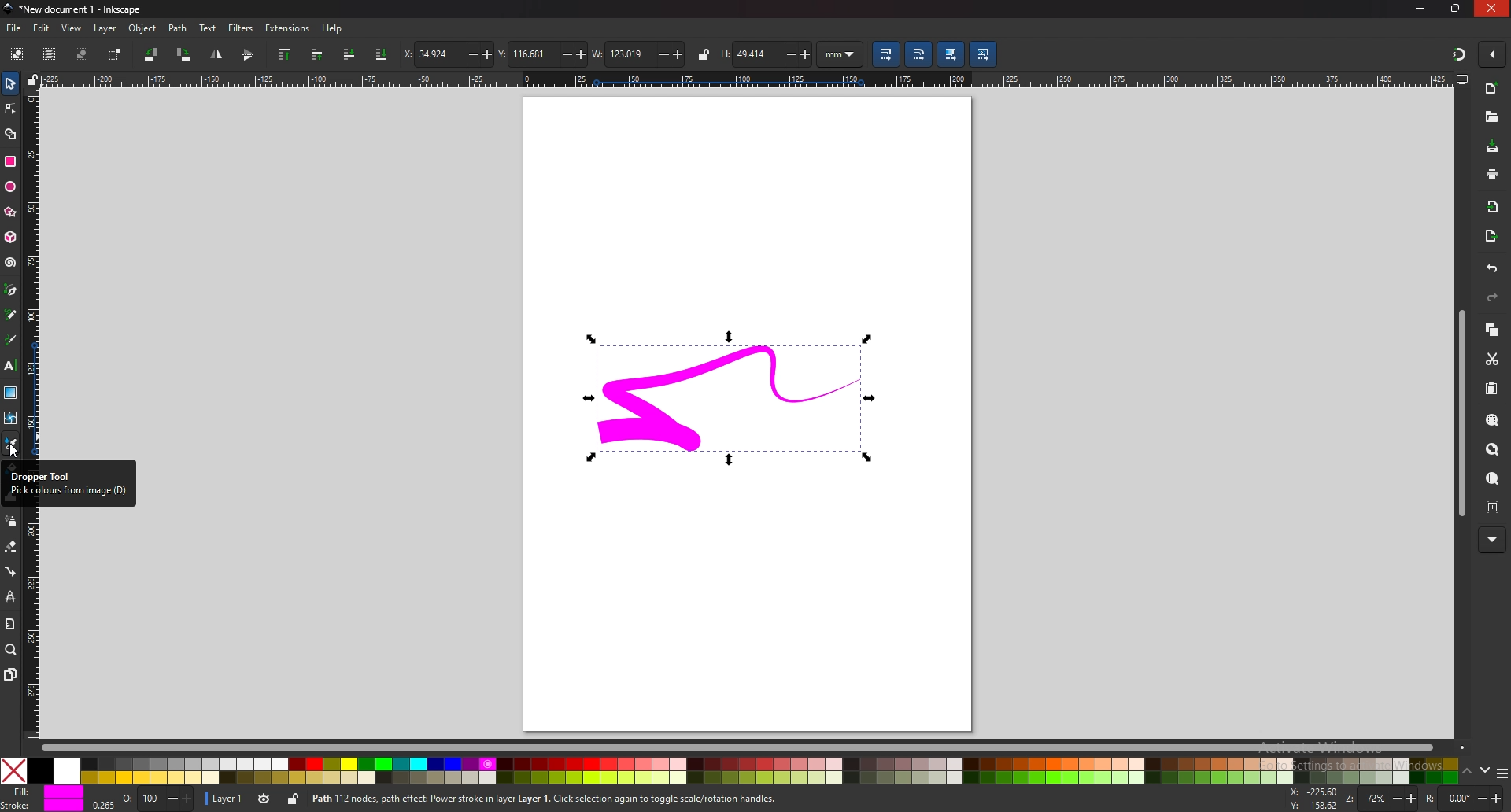  Describe the element at coordinates (919, 54) in the screenshot. I see `scale radii` at that location.